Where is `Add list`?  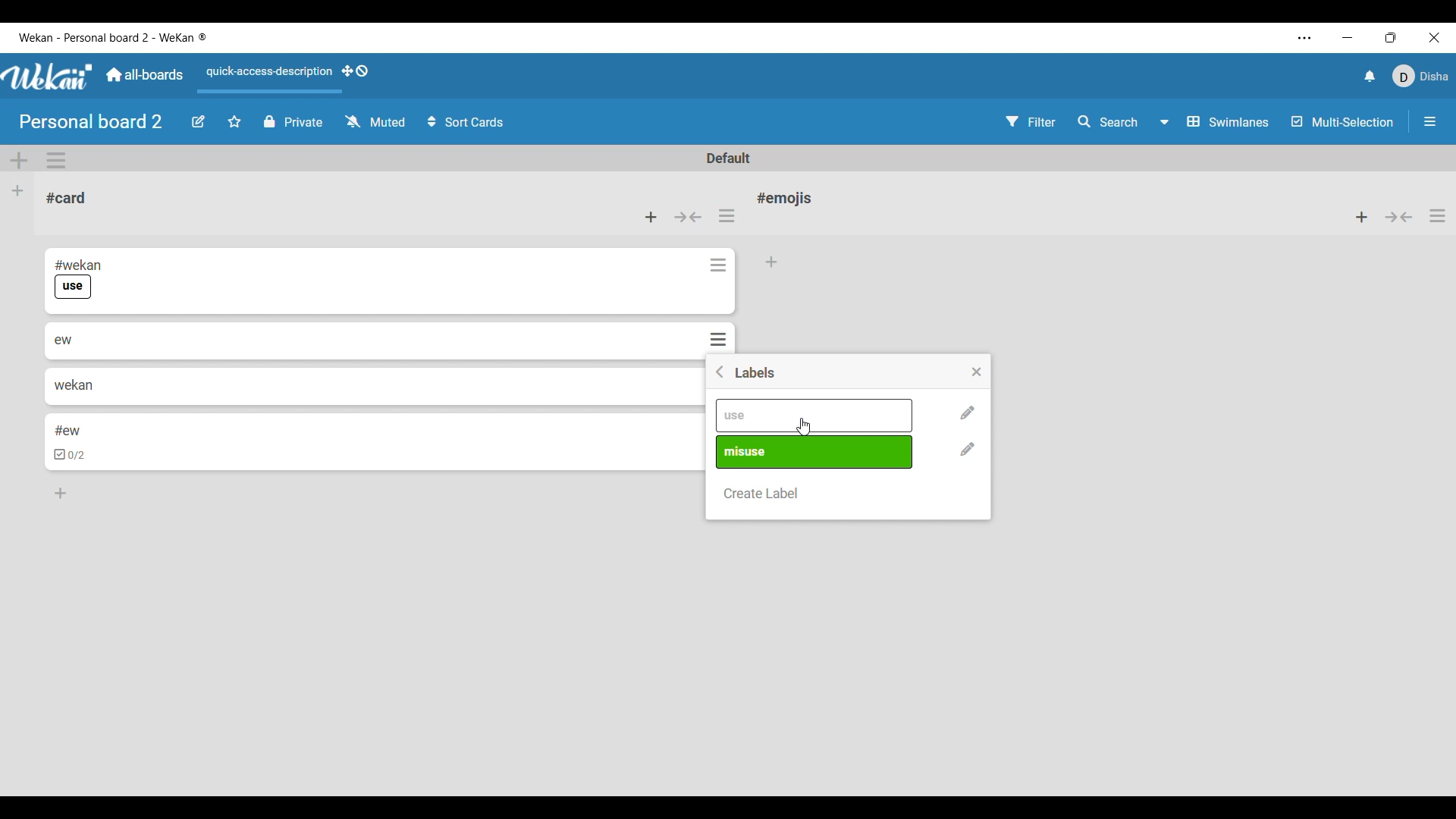 Add list is located at coordinates (17, 191).